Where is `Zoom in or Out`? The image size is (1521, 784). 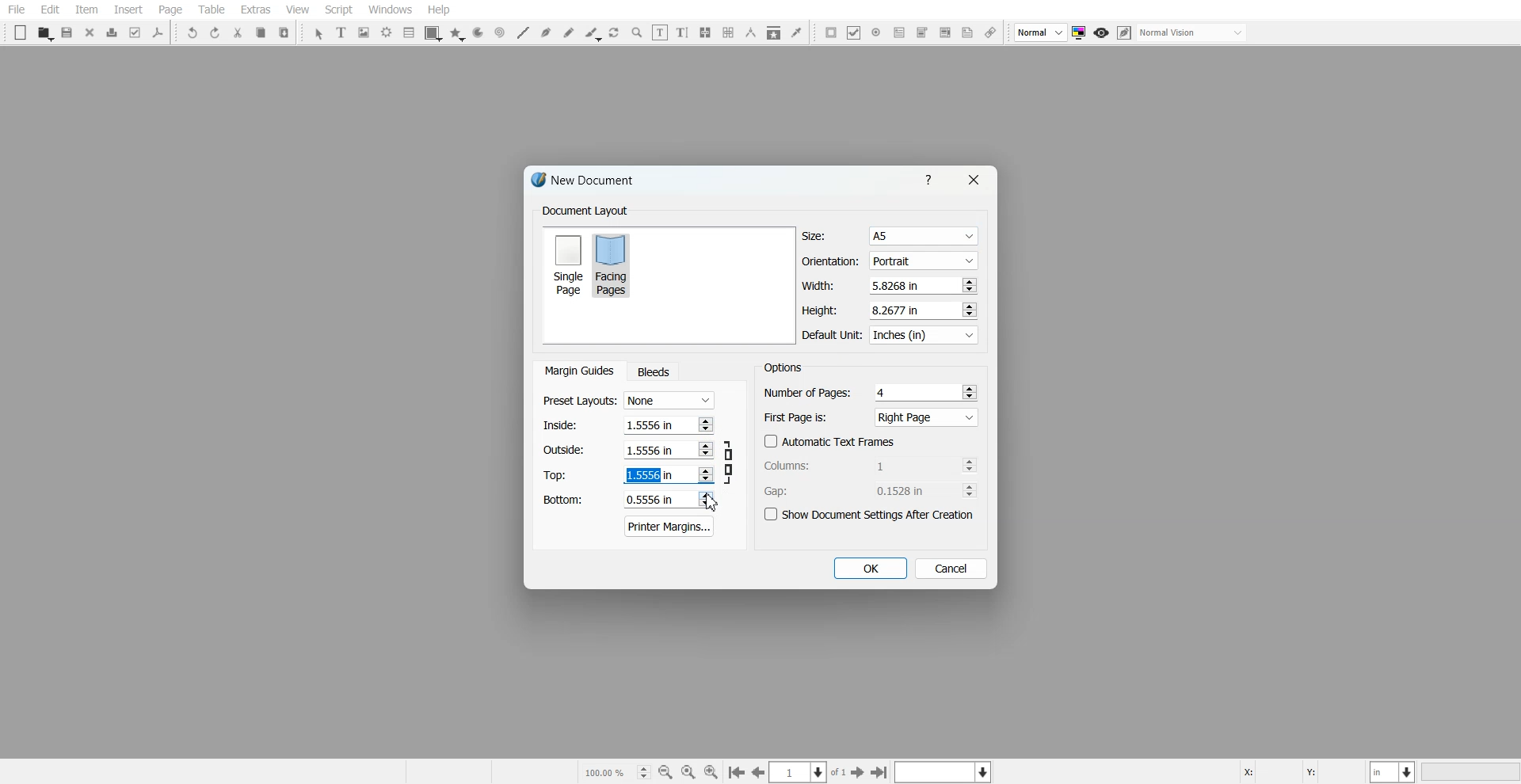 Zoom in or Out is located at coordinates (637, 32).